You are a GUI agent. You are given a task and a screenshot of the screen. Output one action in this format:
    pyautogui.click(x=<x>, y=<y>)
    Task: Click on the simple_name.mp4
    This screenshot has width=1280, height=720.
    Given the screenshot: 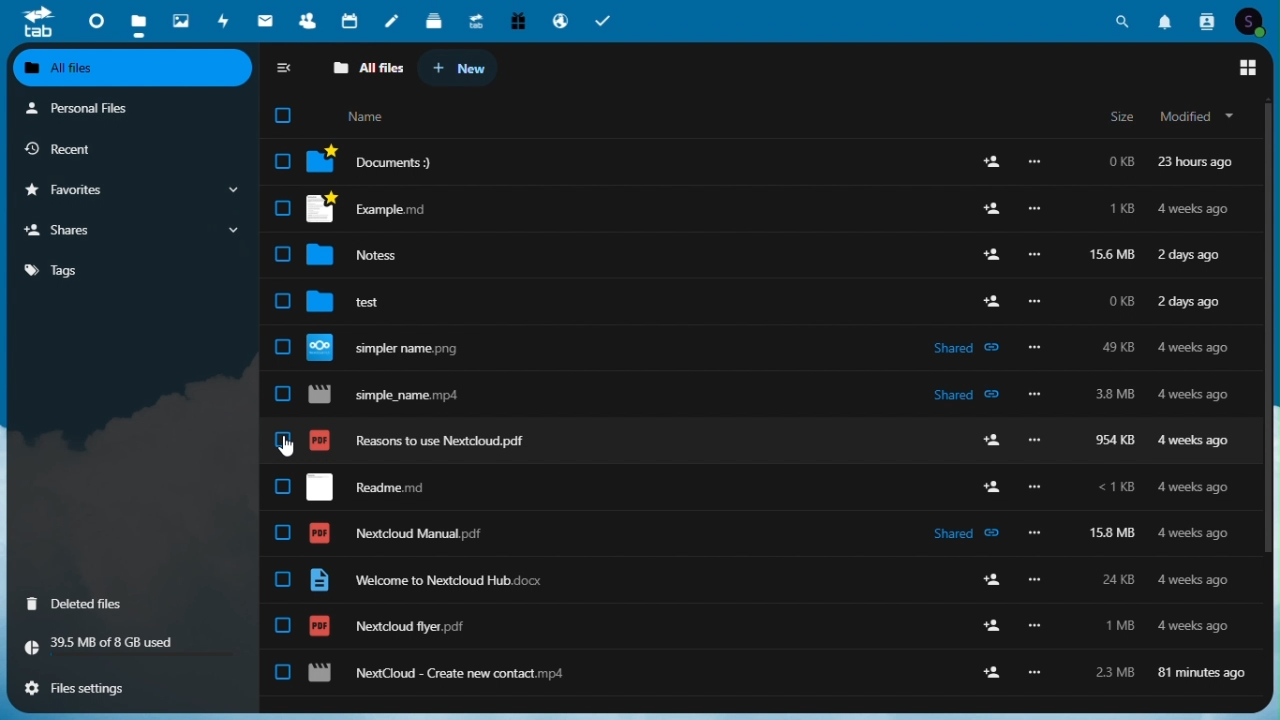 What is the action you would take?
    pyautogui.click(x=392, y=395)
    